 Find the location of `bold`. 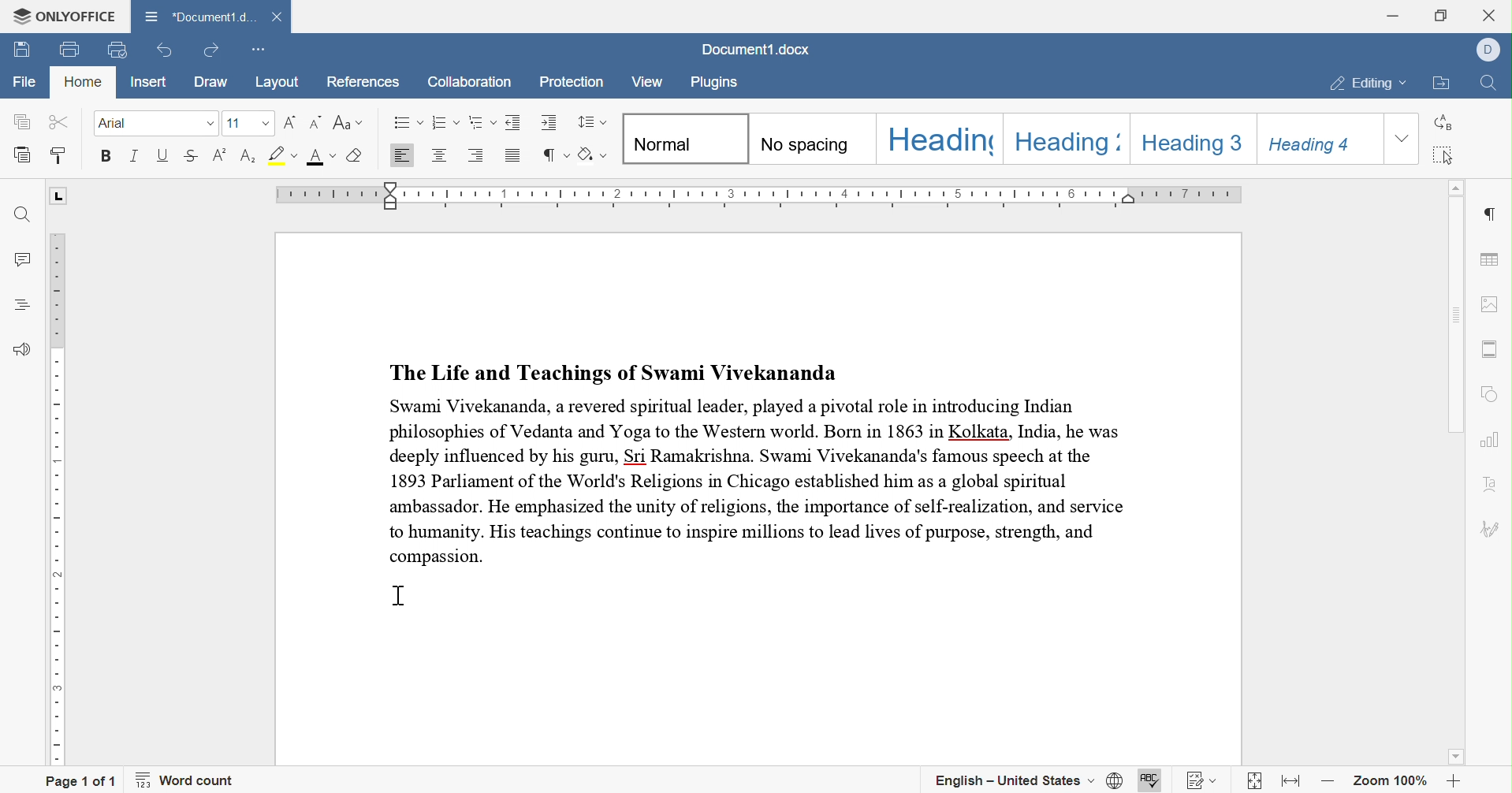

bold is located at coordinates (104, 155).